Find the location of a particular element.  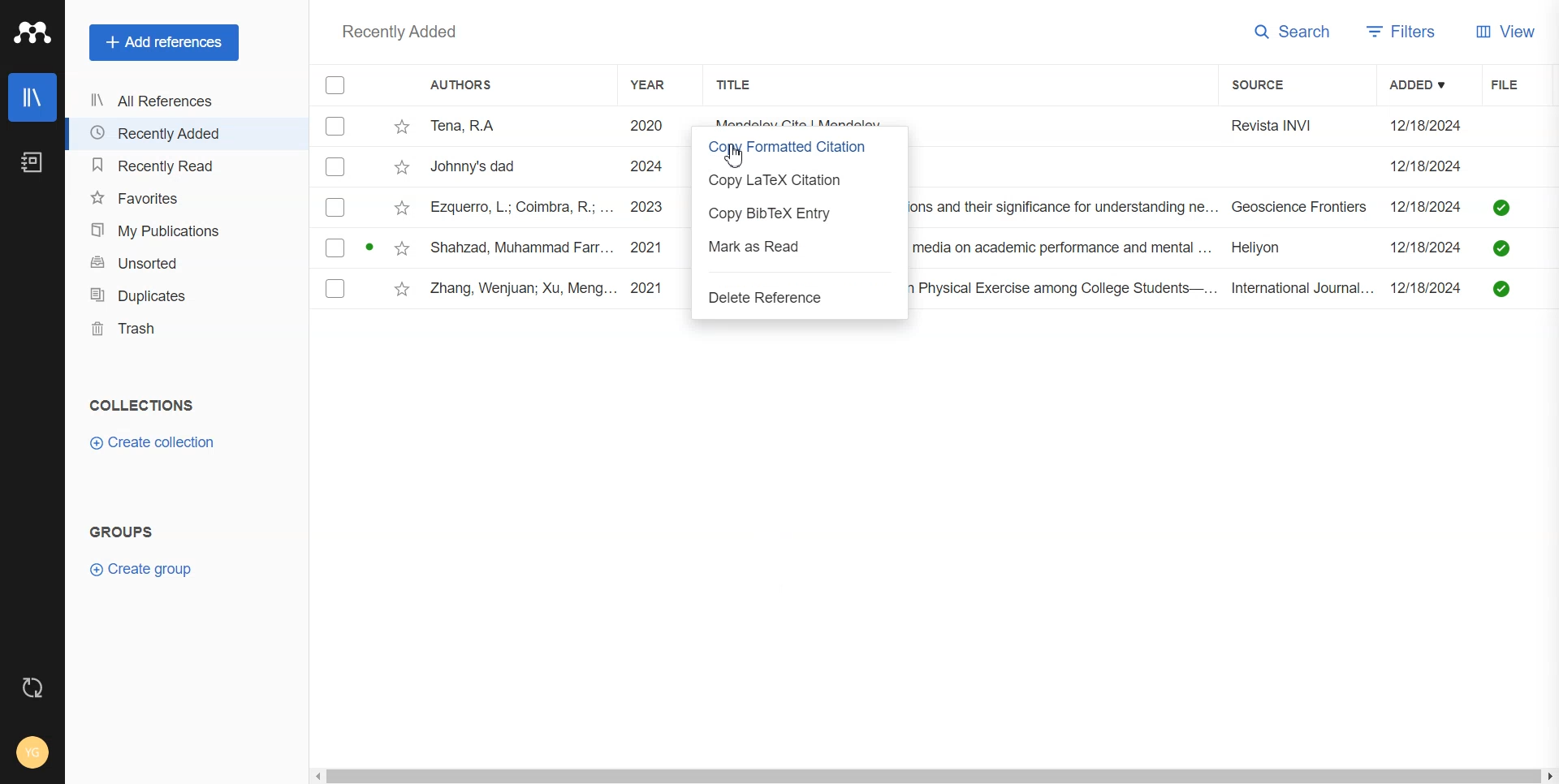

12/18/2024 is located at coordinates (1427, 166).